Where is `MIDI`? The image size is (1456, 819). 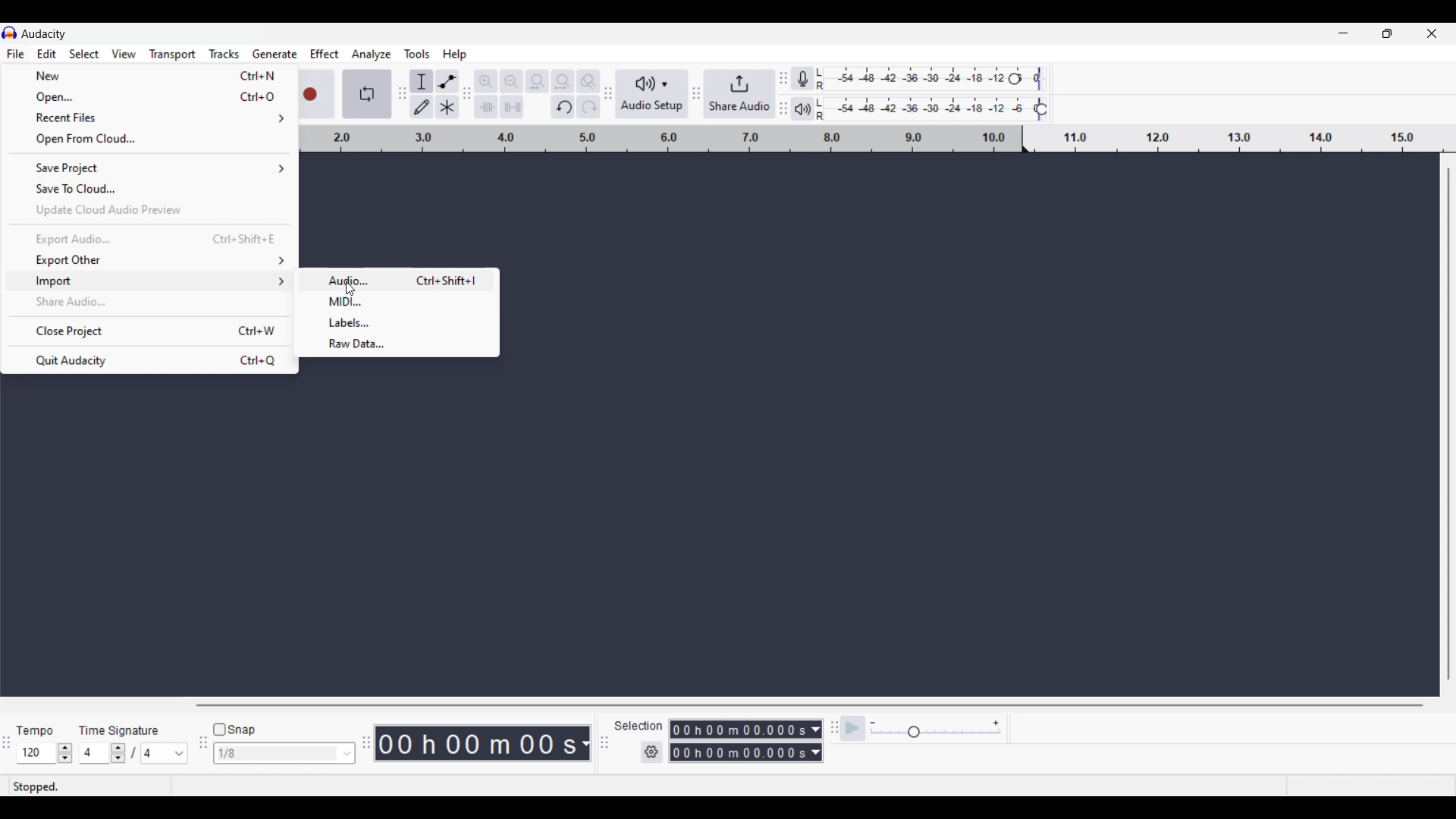 MIDI is located at coordinates (397, 302).